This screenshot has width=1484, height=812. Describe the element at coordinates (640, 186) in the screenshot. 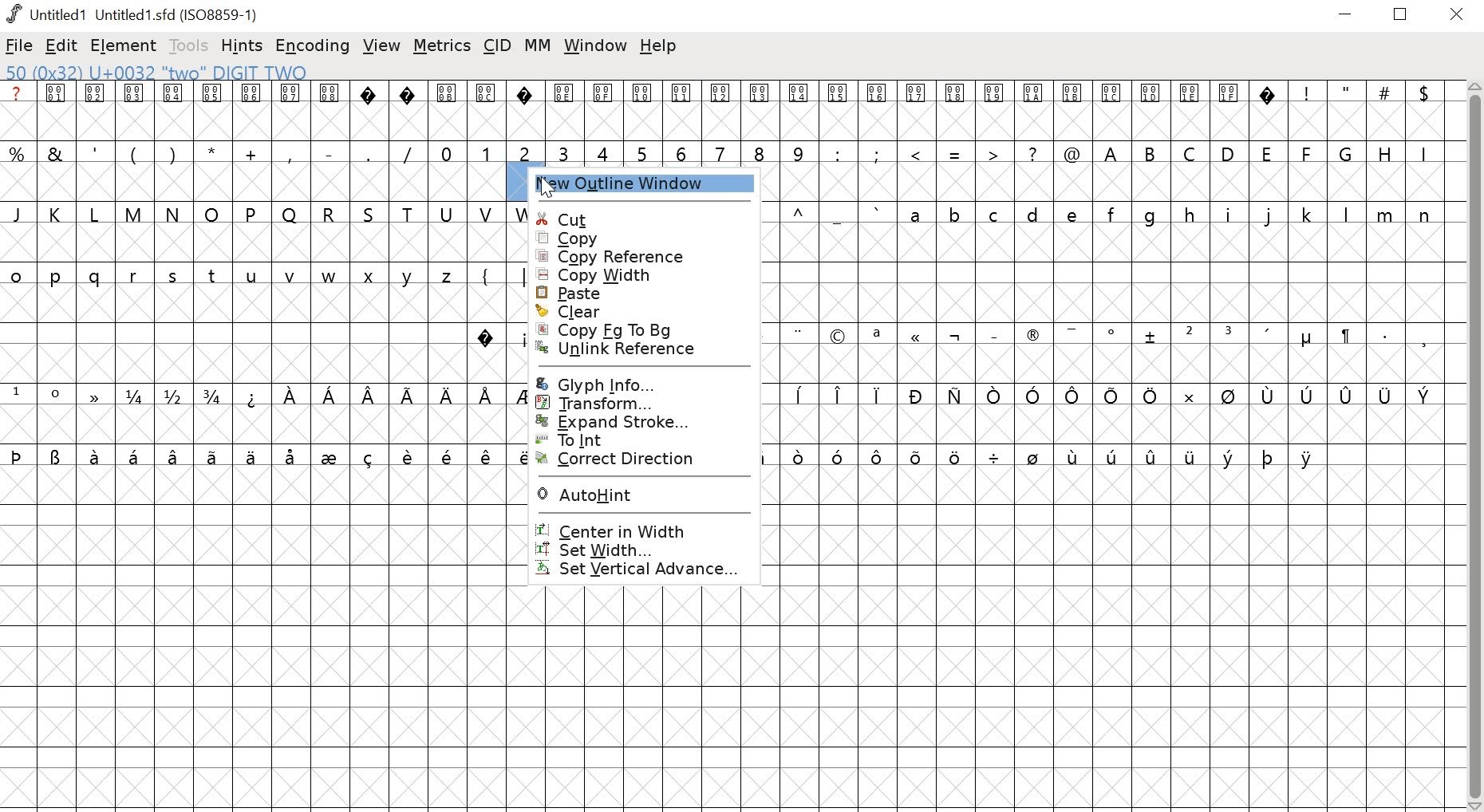

I see `new outline window` at that location.